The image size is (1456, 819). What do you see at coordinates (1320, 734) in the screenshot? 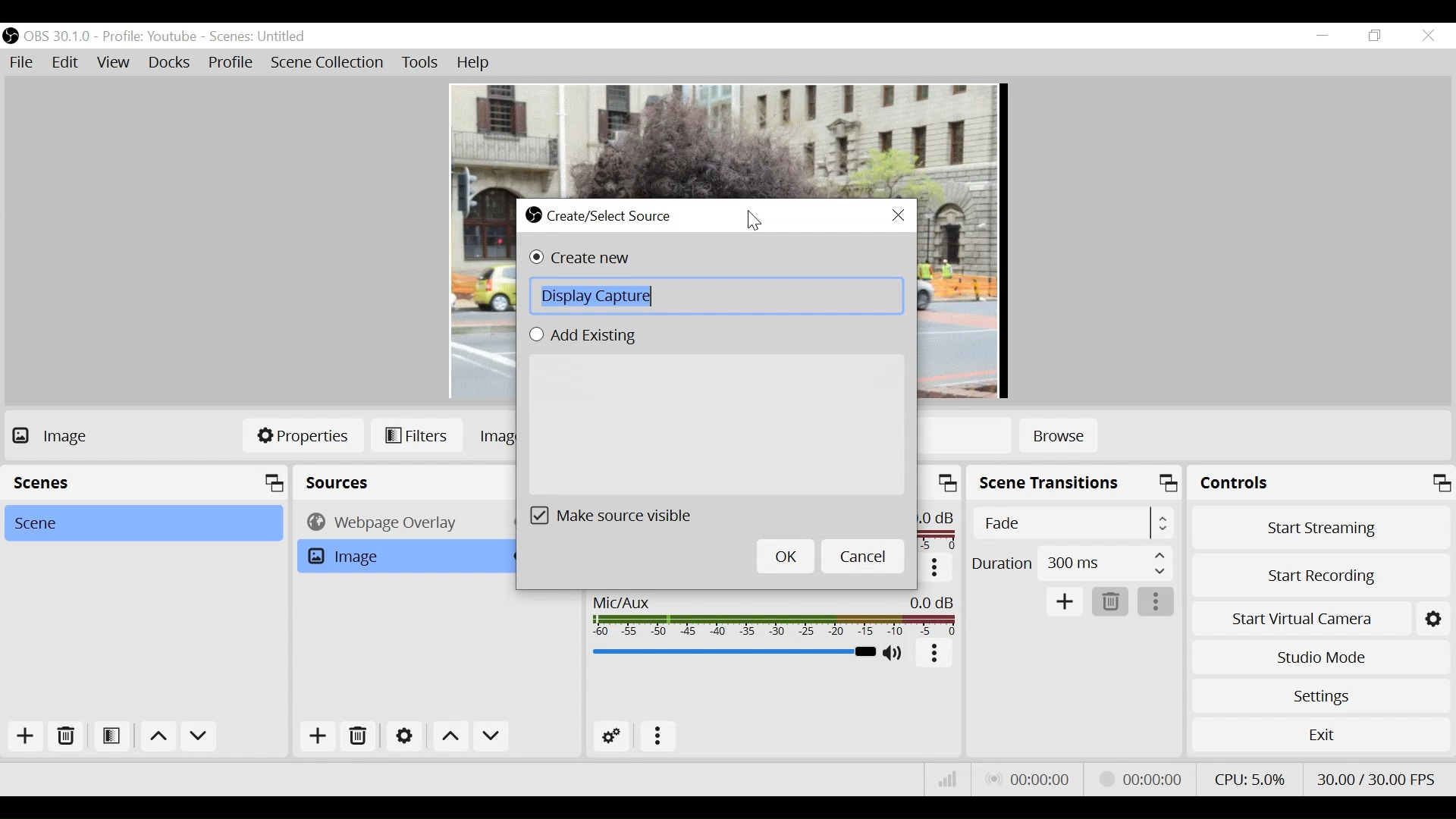
I see `Exit` at bounding box center [1320, 734].